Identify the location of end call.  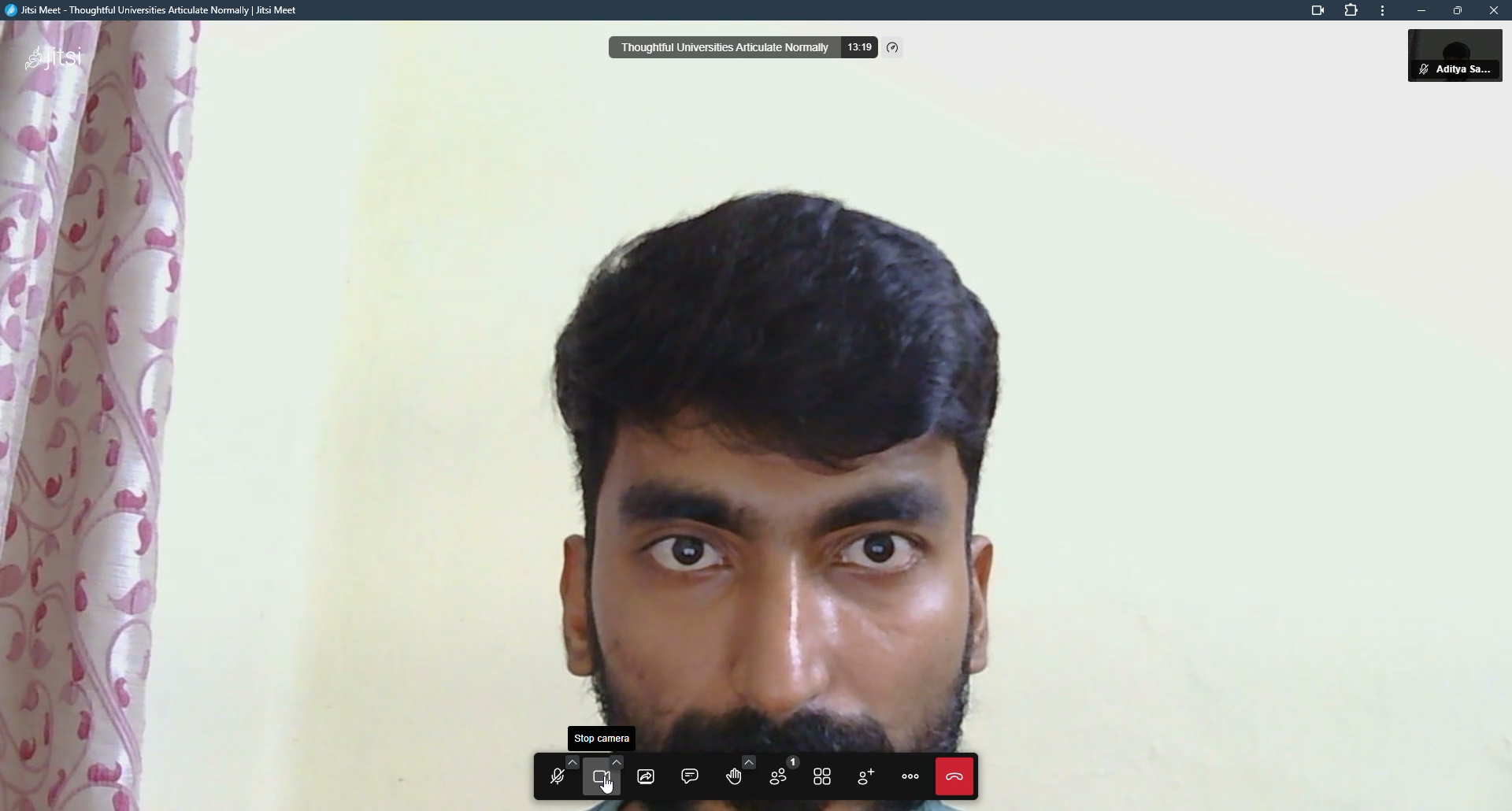
(960, 777).